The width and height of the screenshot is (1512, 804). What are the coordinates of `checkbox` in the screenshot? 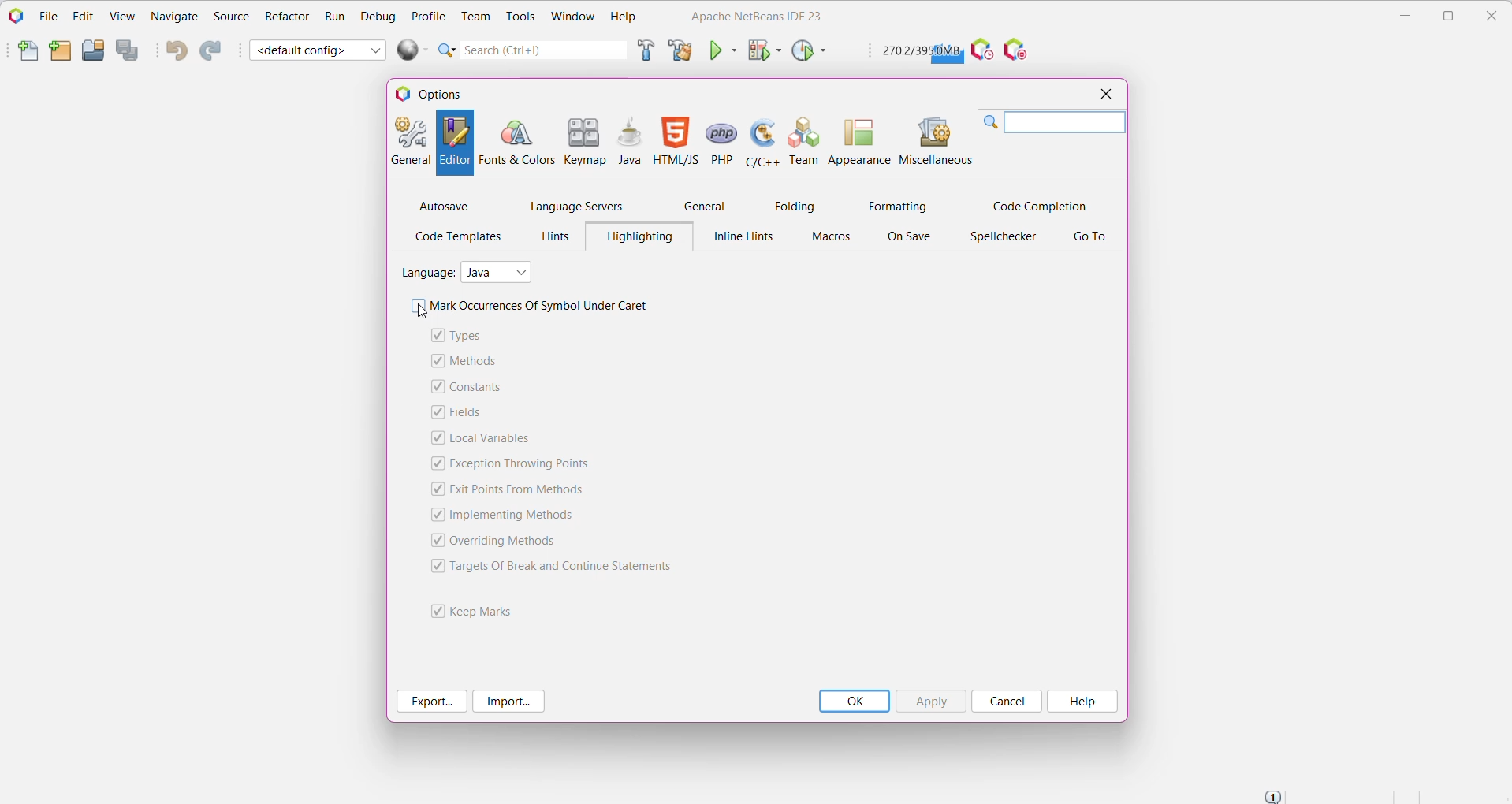 It's located at (435, 359).